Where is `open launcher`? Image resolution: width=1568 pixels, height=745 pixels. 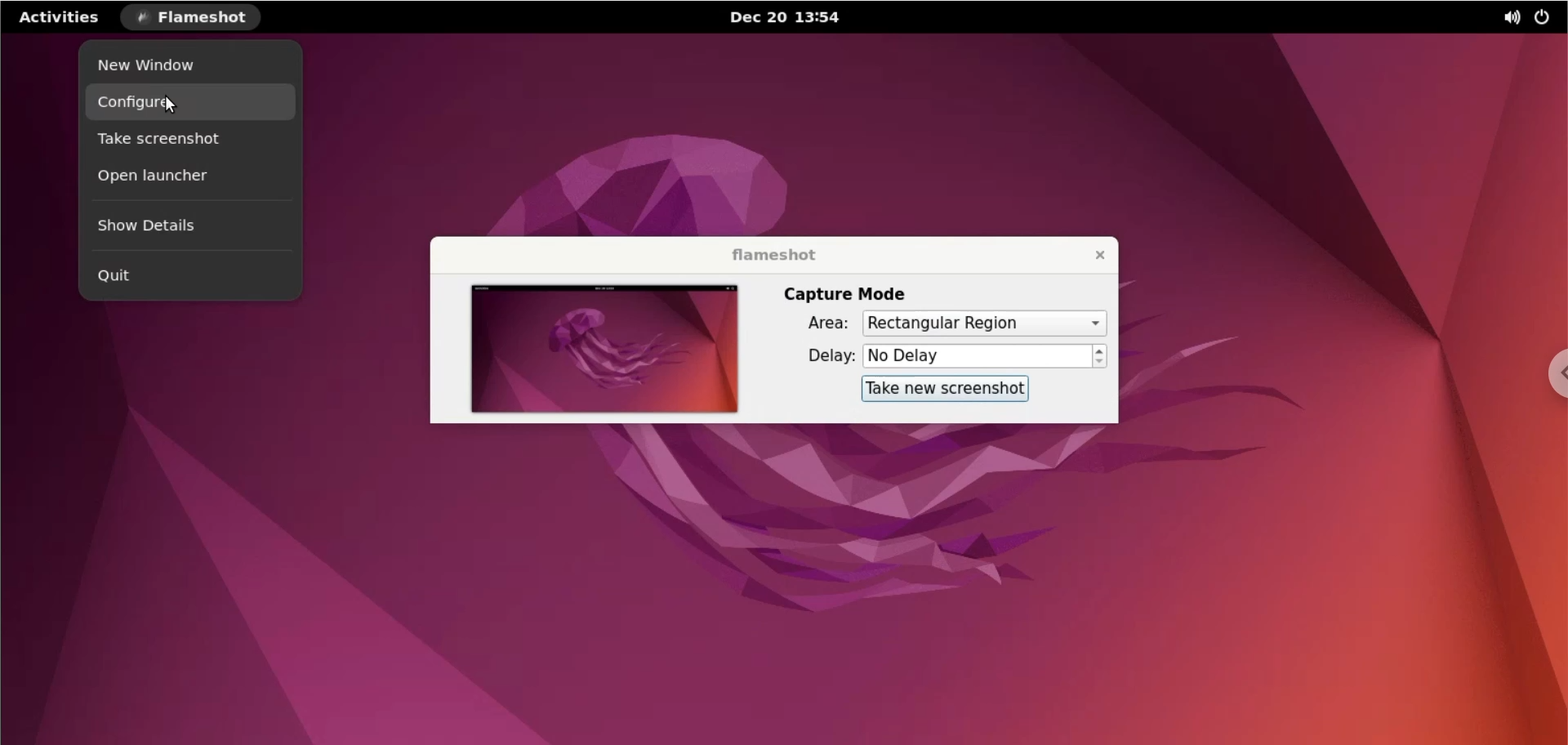
open launcher is located at coordinates (185, 180).